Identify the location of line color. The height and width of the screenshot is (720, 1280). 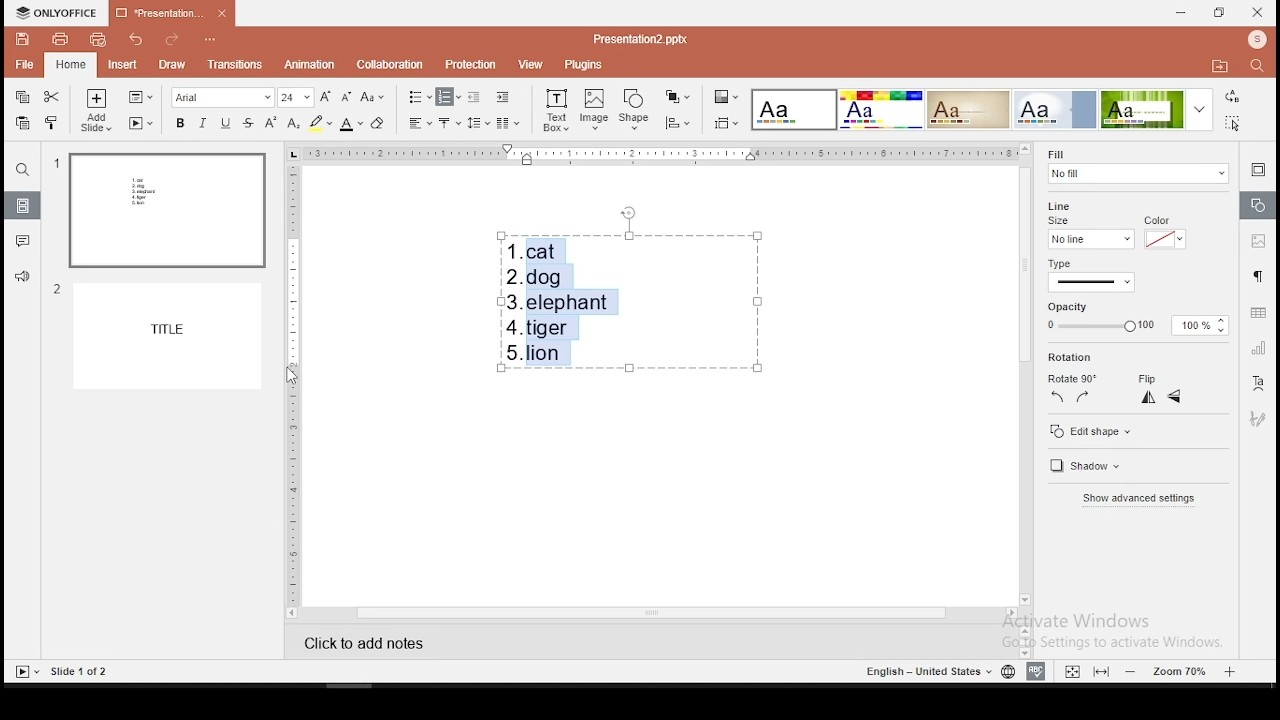
(1163, 233).